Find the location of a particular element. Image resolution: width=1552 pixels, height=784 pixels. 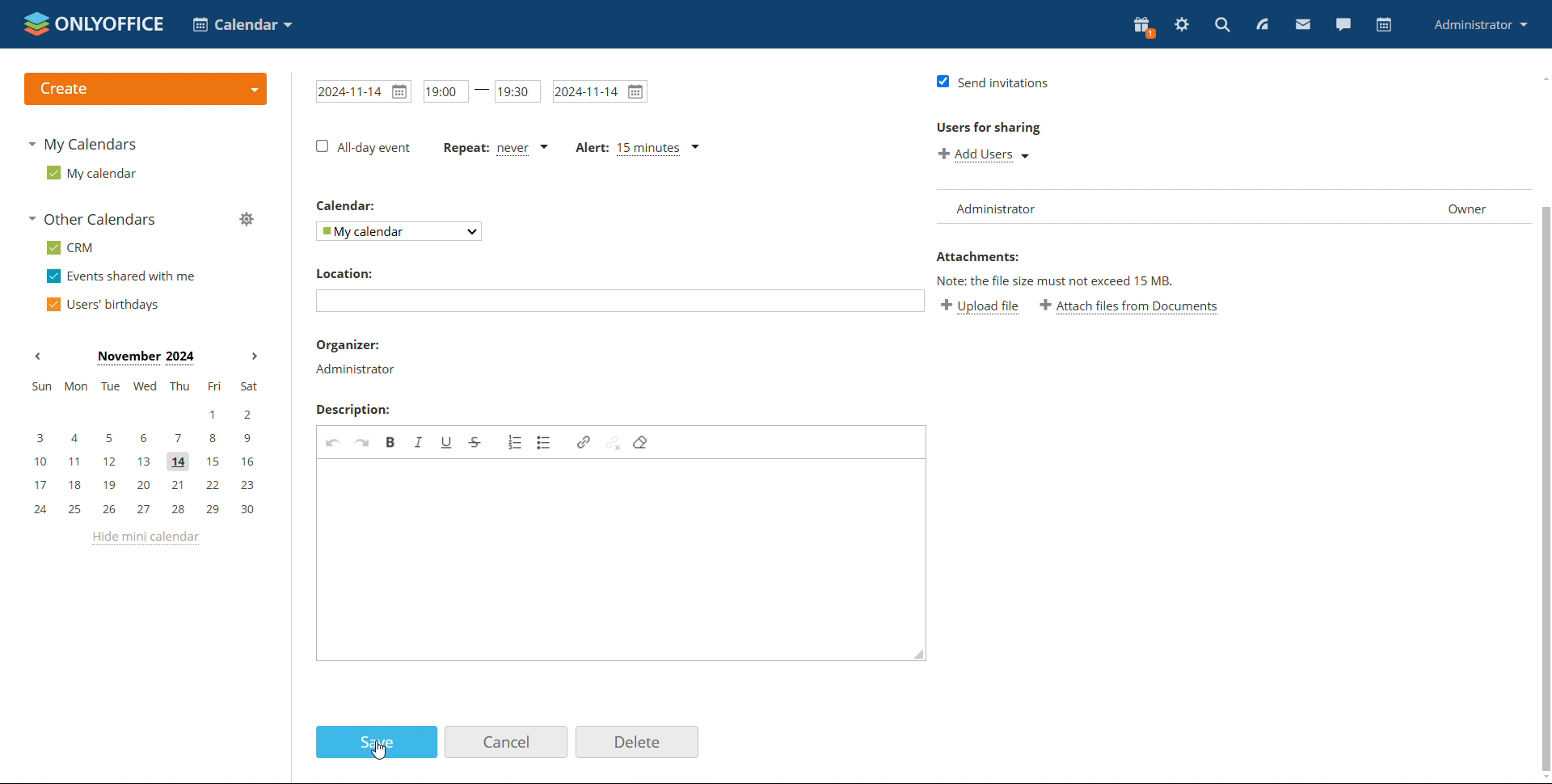

strikethrough is located at coordinates (474, 444).